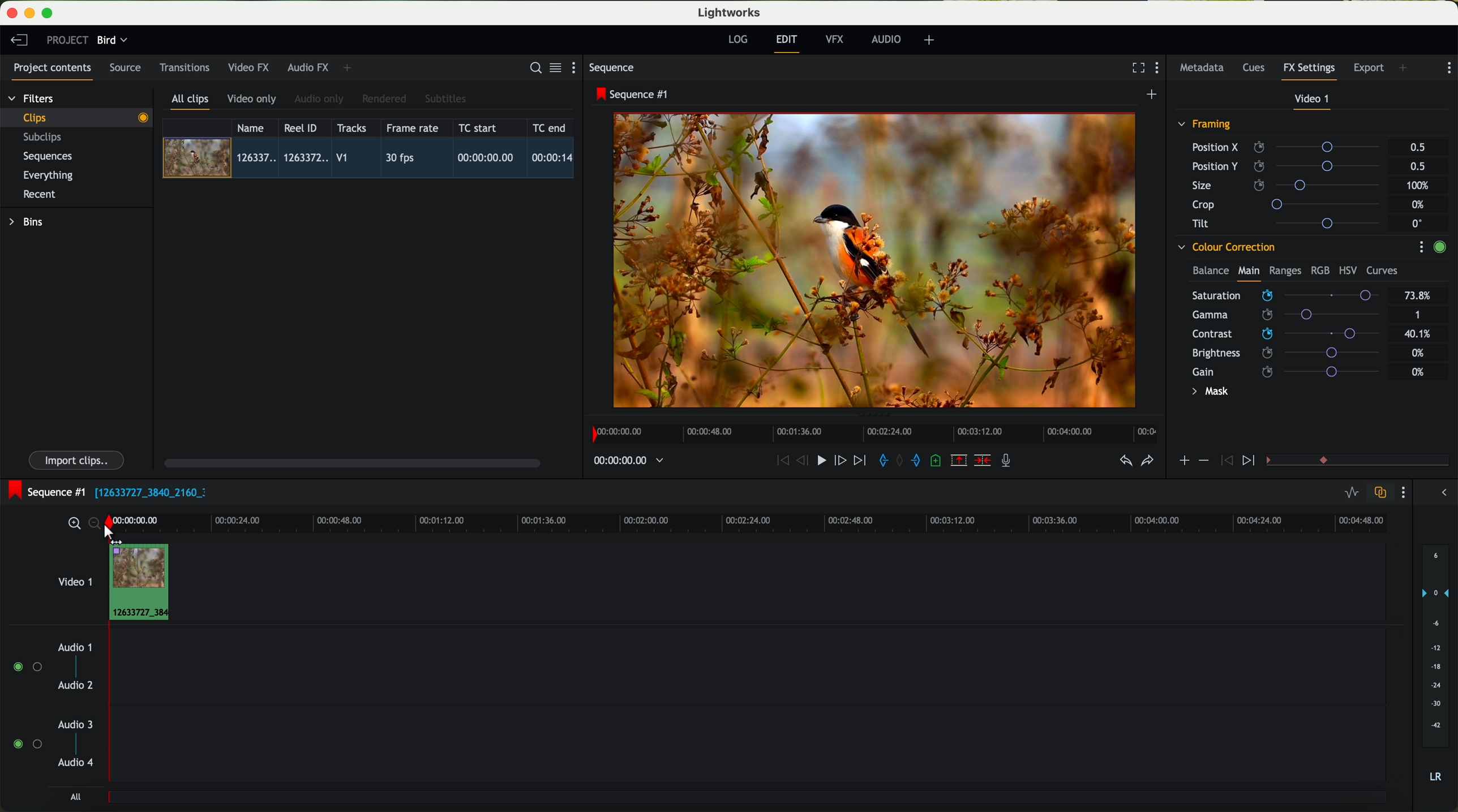 The height and width of the screenshot is (812, 1458). Describe the element at coordinates (1125, 461) in the screenshot. I see `undo` at that location.